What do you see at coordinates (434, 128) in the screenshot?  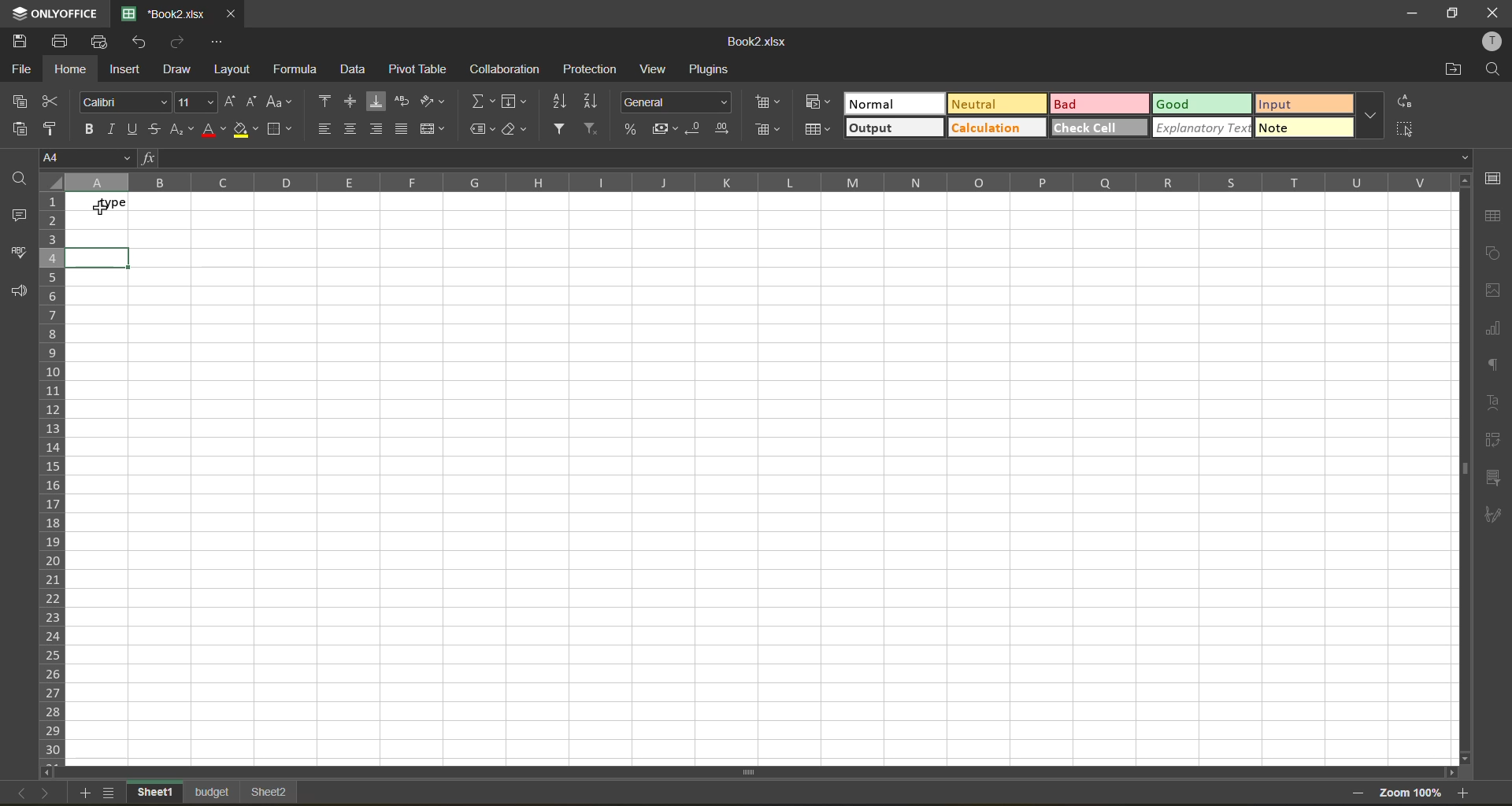 I see `merge and center` at bounding box center [434, 128].